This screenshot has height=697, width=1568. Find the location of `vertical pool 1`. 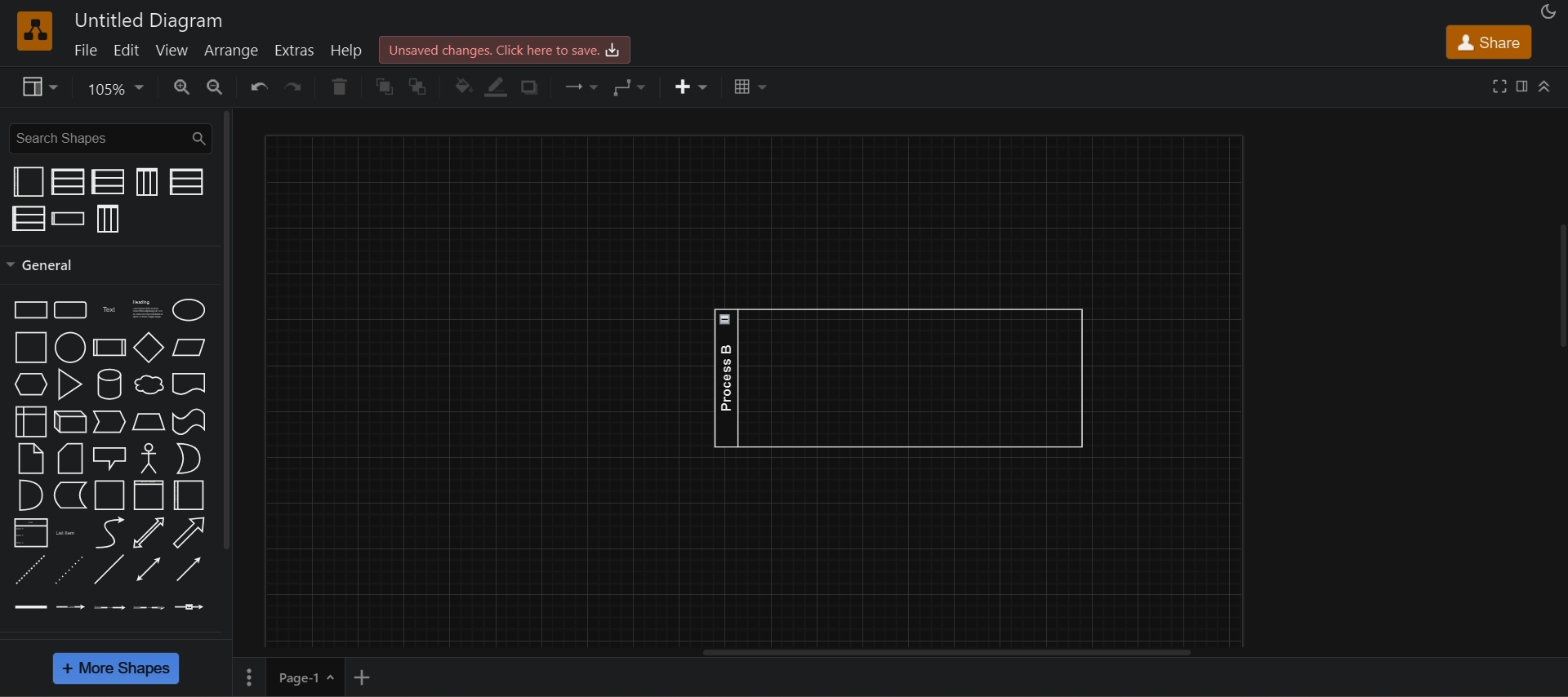

vertical pool 1 is located at coordinates (145, 182).